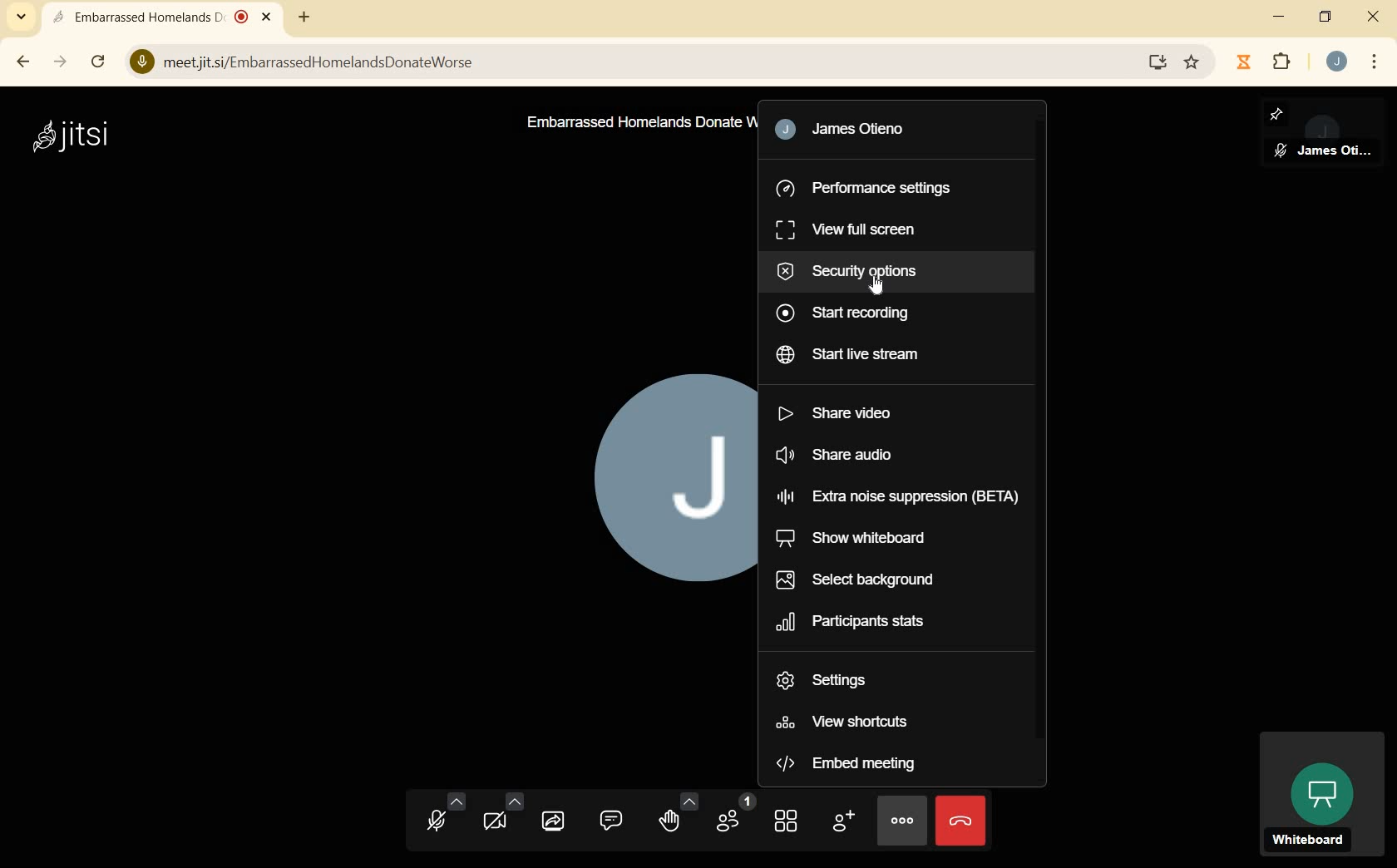 The height and width of the screenshot is (868, 1397). What do you see at coordinates (141, 62) in the screenshot?
I see `View Site information` at bounding box center [141, 62].